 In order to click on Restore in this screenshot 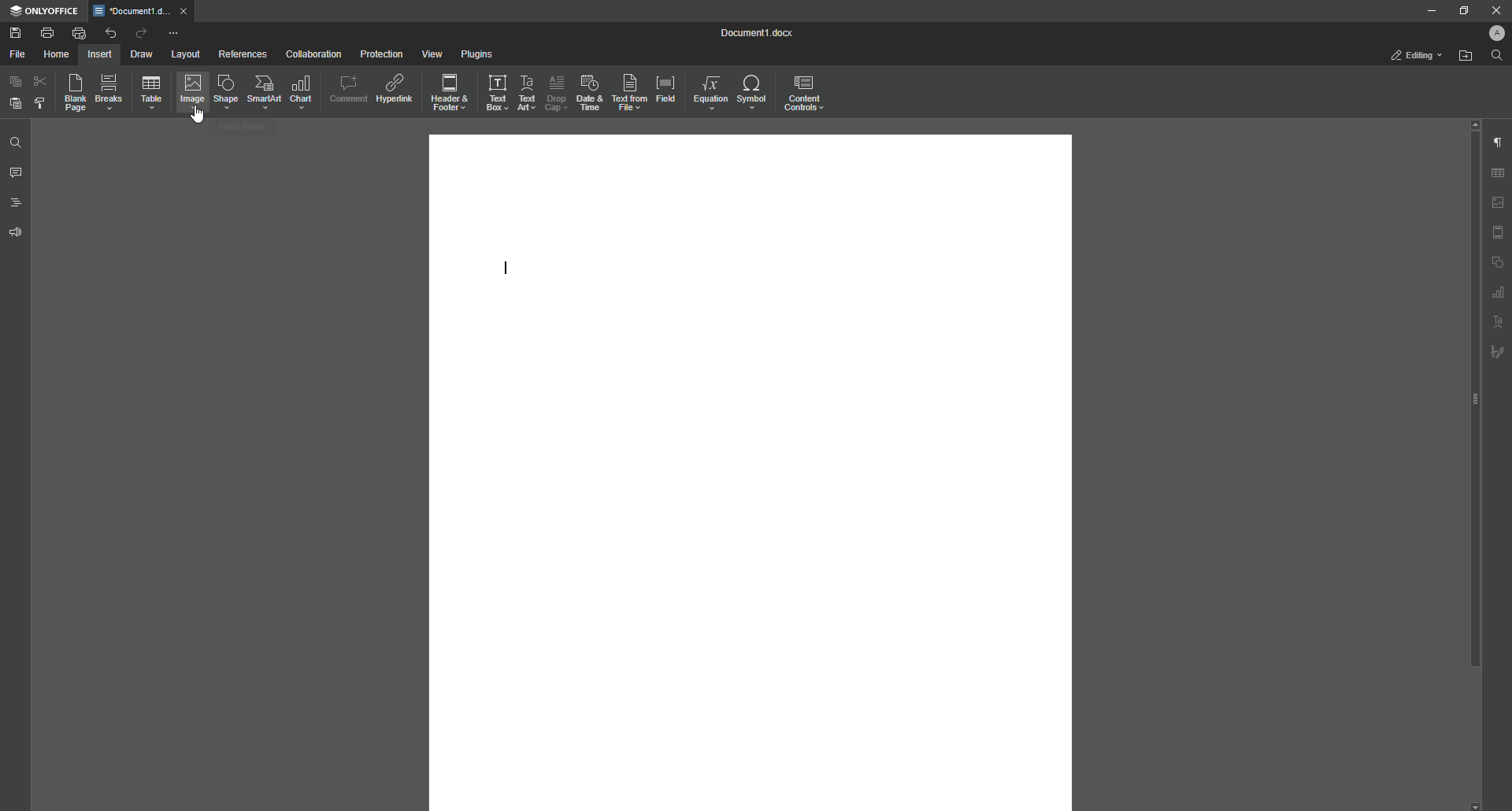, I will do `click(1462, 9)`.